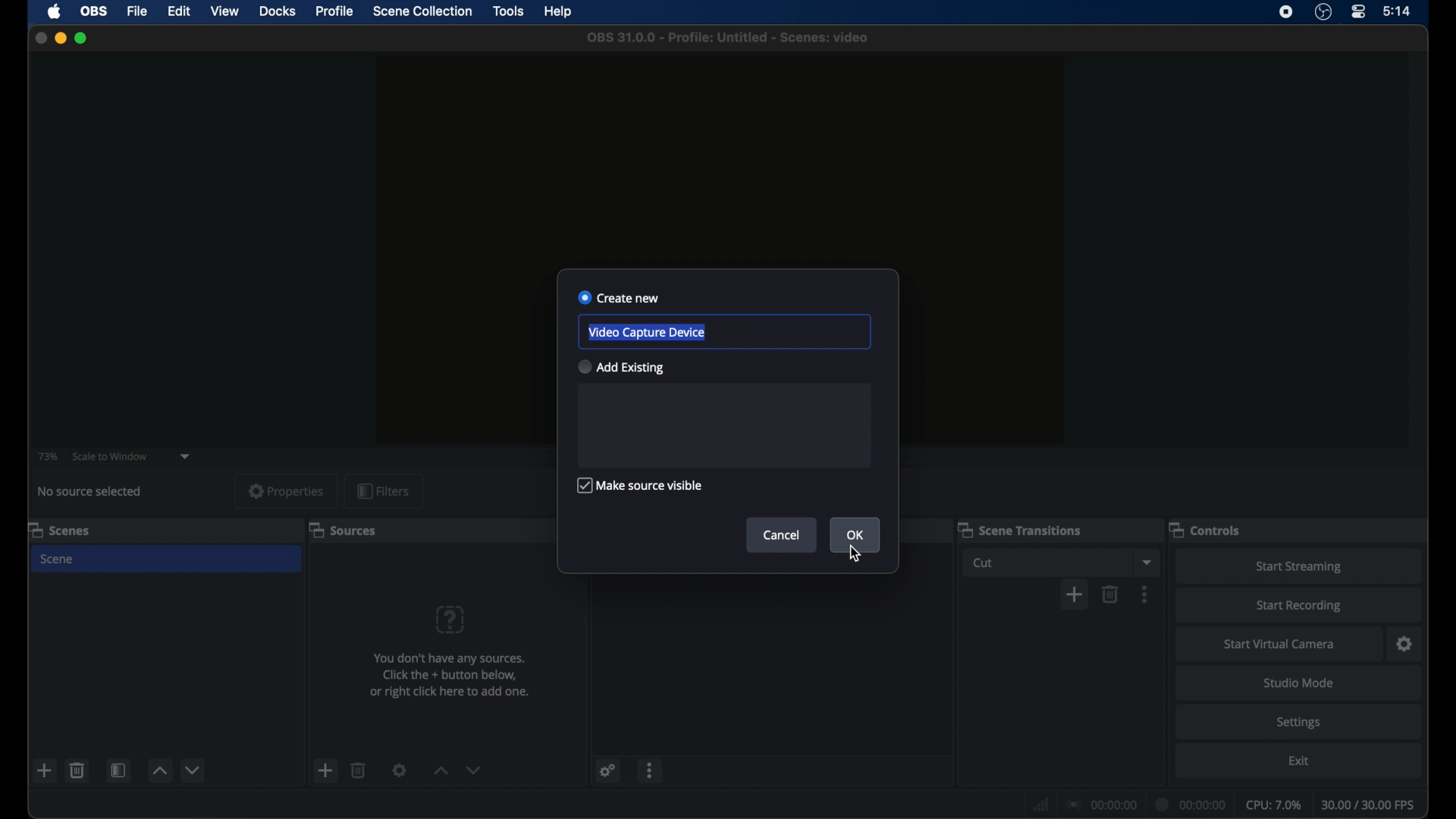 This screenshot has width=1456, height=819. I want to click on maximize, so click(82, 38).